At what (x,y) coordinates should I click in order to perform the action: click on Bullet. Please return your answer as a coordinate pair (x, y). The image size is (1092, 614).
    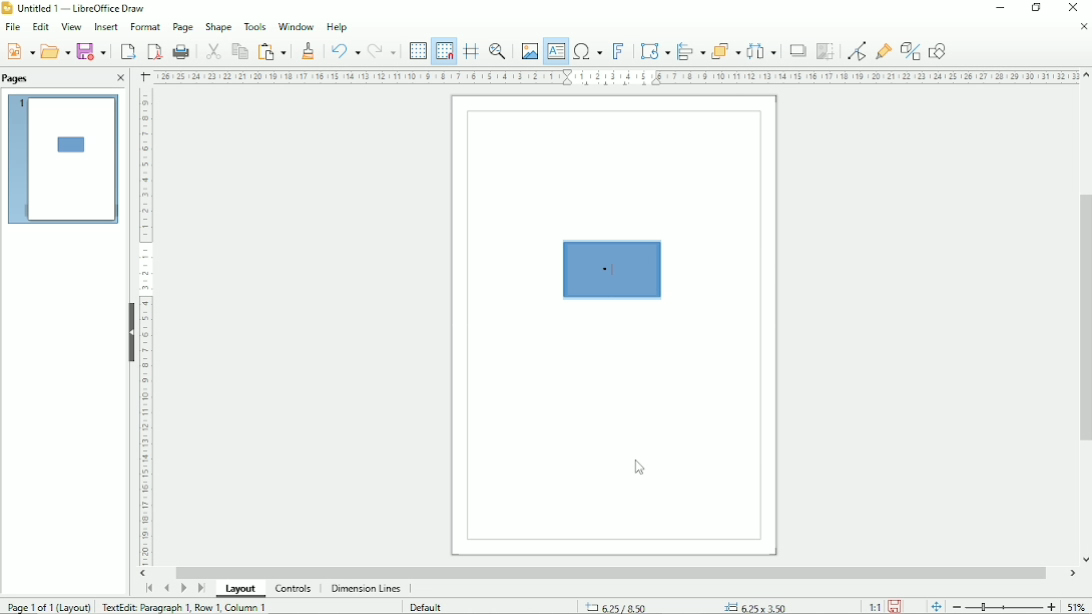
    Looking at the image, I should click on (607, 270).